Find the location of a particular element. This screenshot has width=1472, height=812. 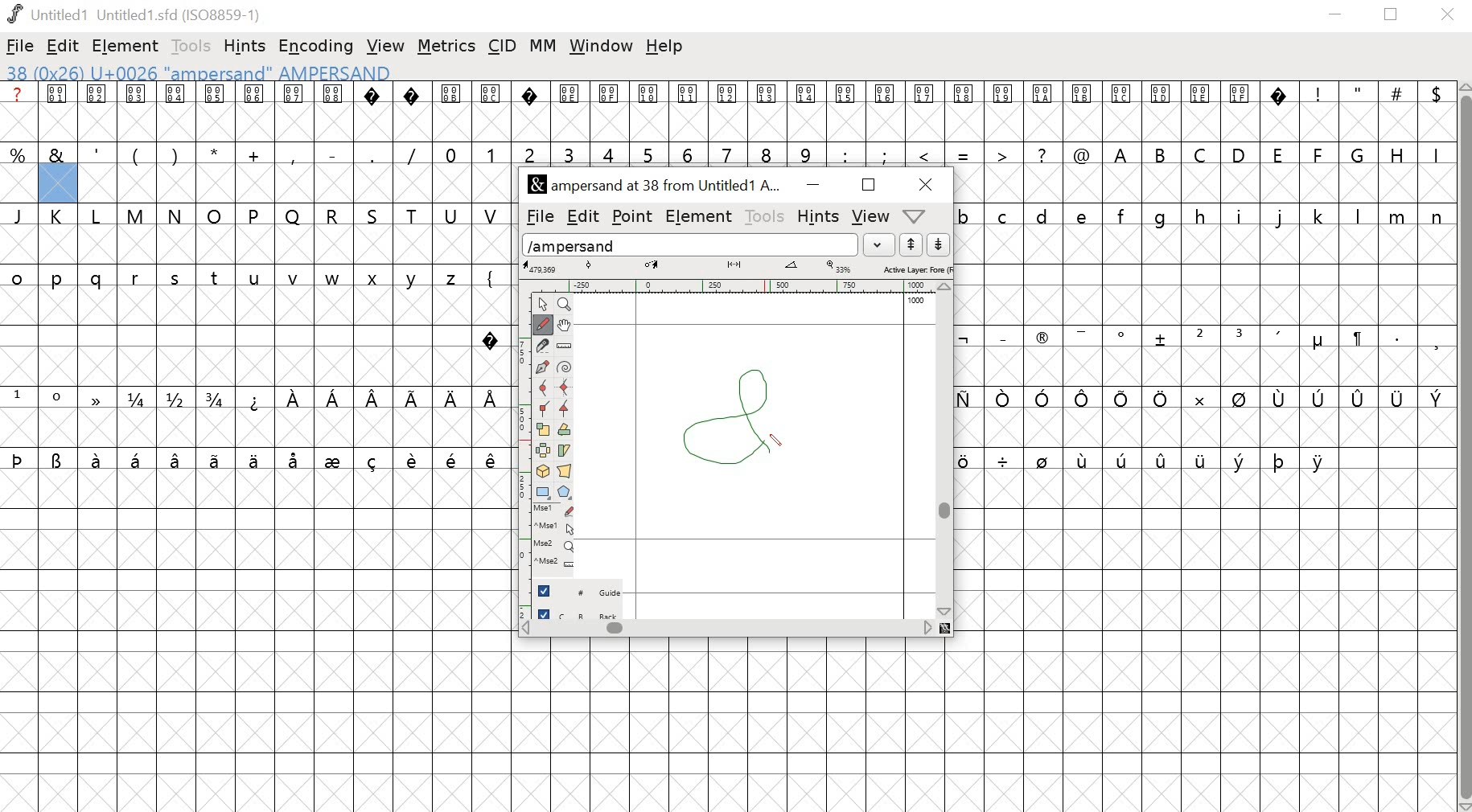

symbol is located at coordinates (1197, 397).